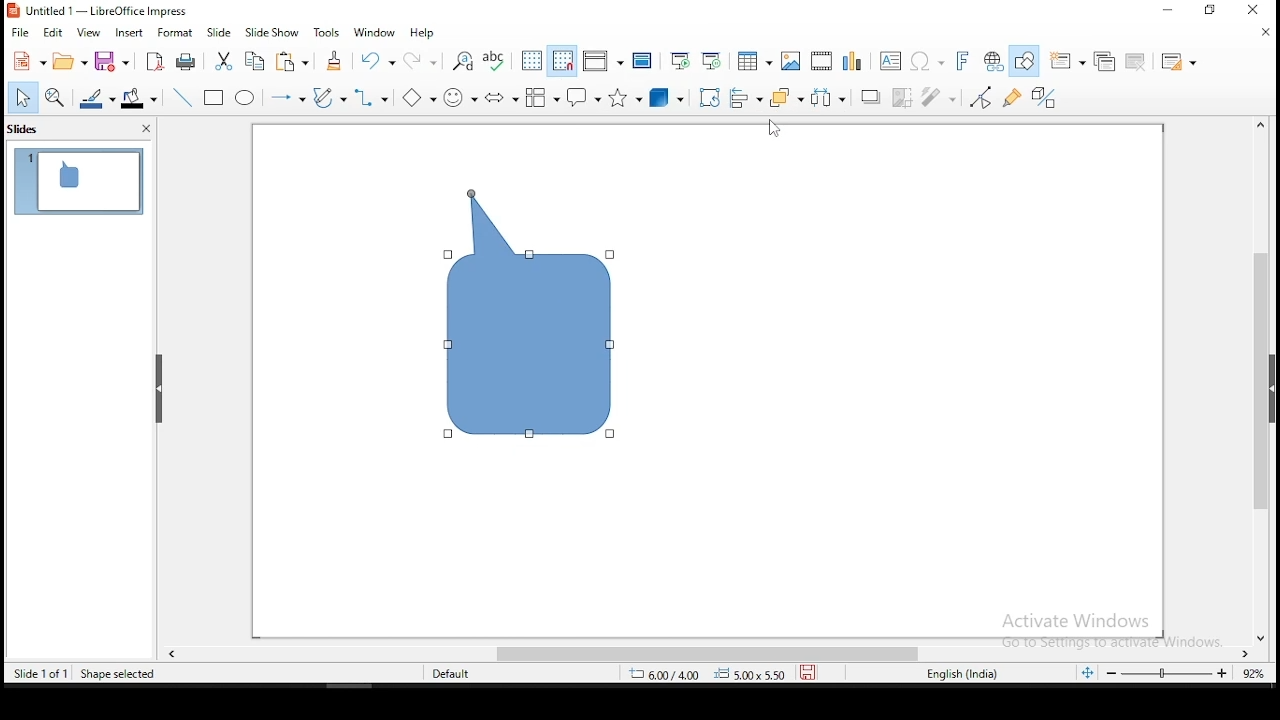 The image size is (1280, 720). Describe the element at coordinates (245, 98) in the screenshot. I see `ellipse` at that location.